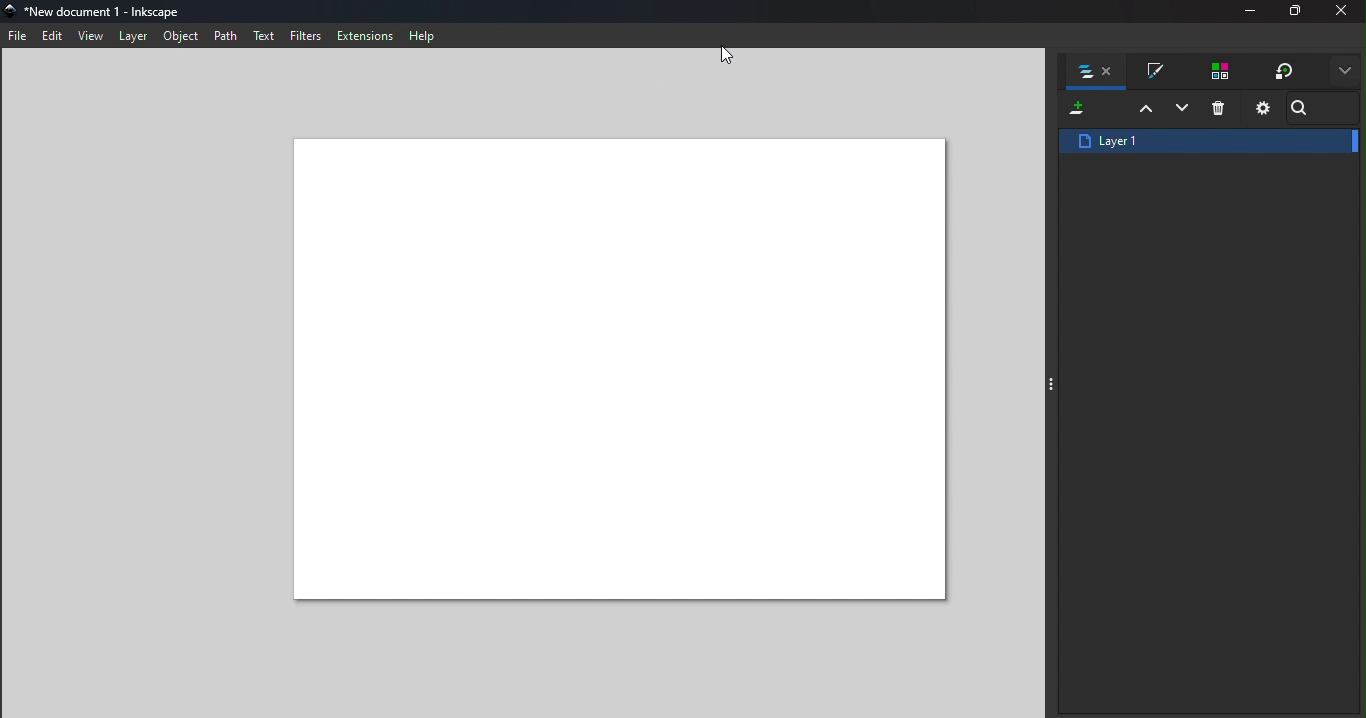 The image size is (1366, 718). What do you see at coordinates (1221, 72) in the screenshot?
I see `Swatches` at bounding box center [1221, 72].